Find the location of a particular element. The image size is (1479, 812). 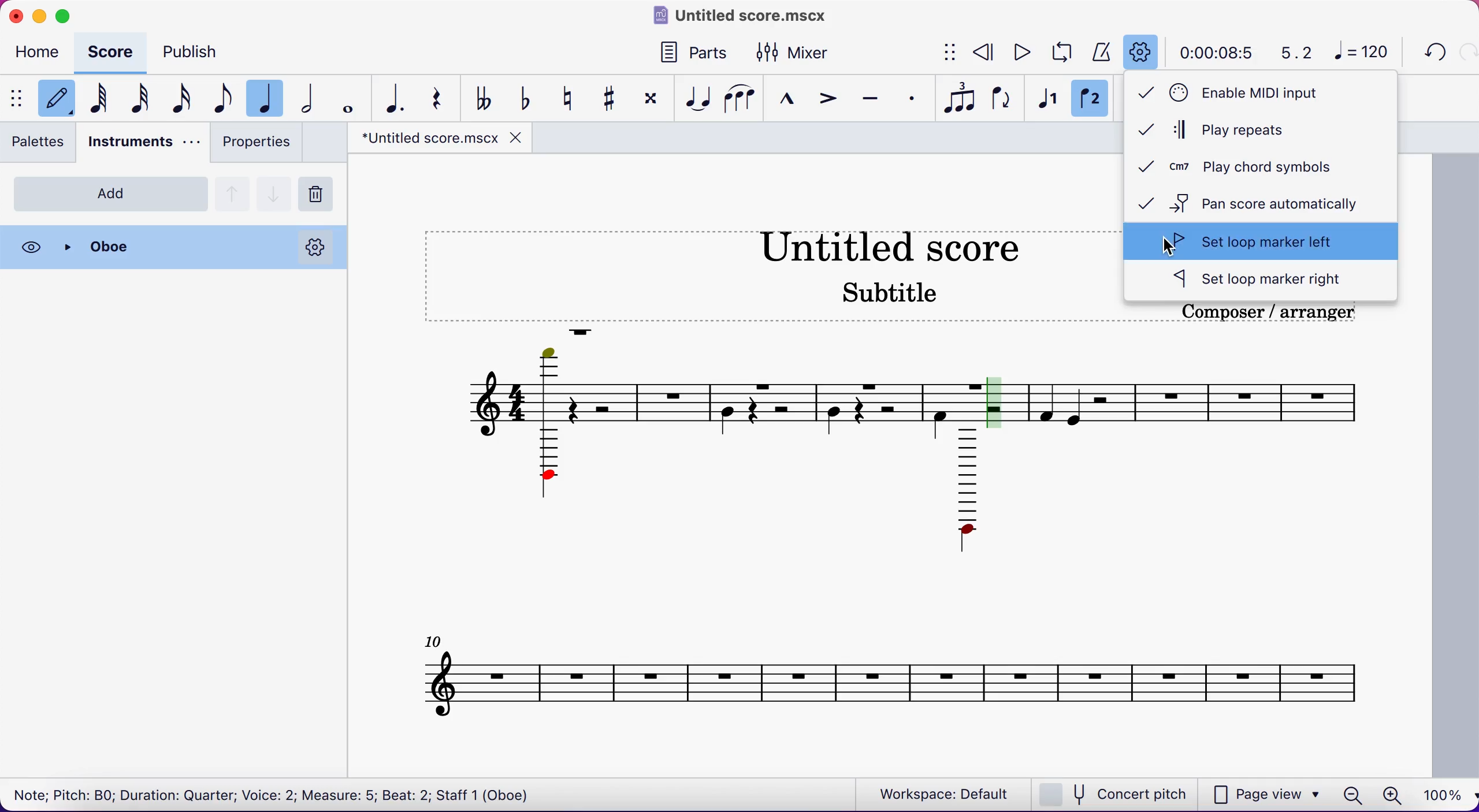

Playback setup is located at coordinates (1142, 52).